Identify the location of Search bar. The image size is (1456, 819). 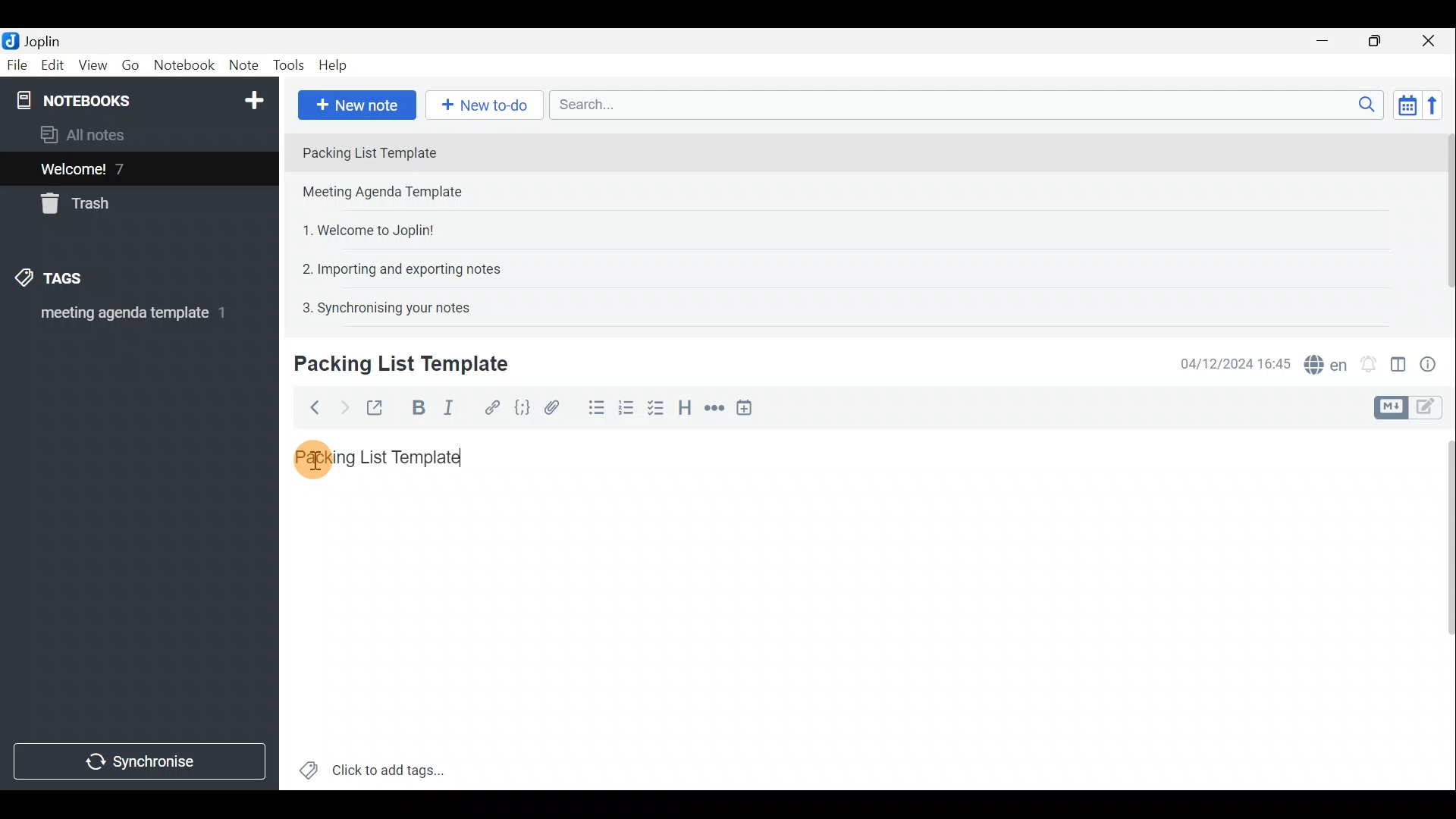
(962, 106).